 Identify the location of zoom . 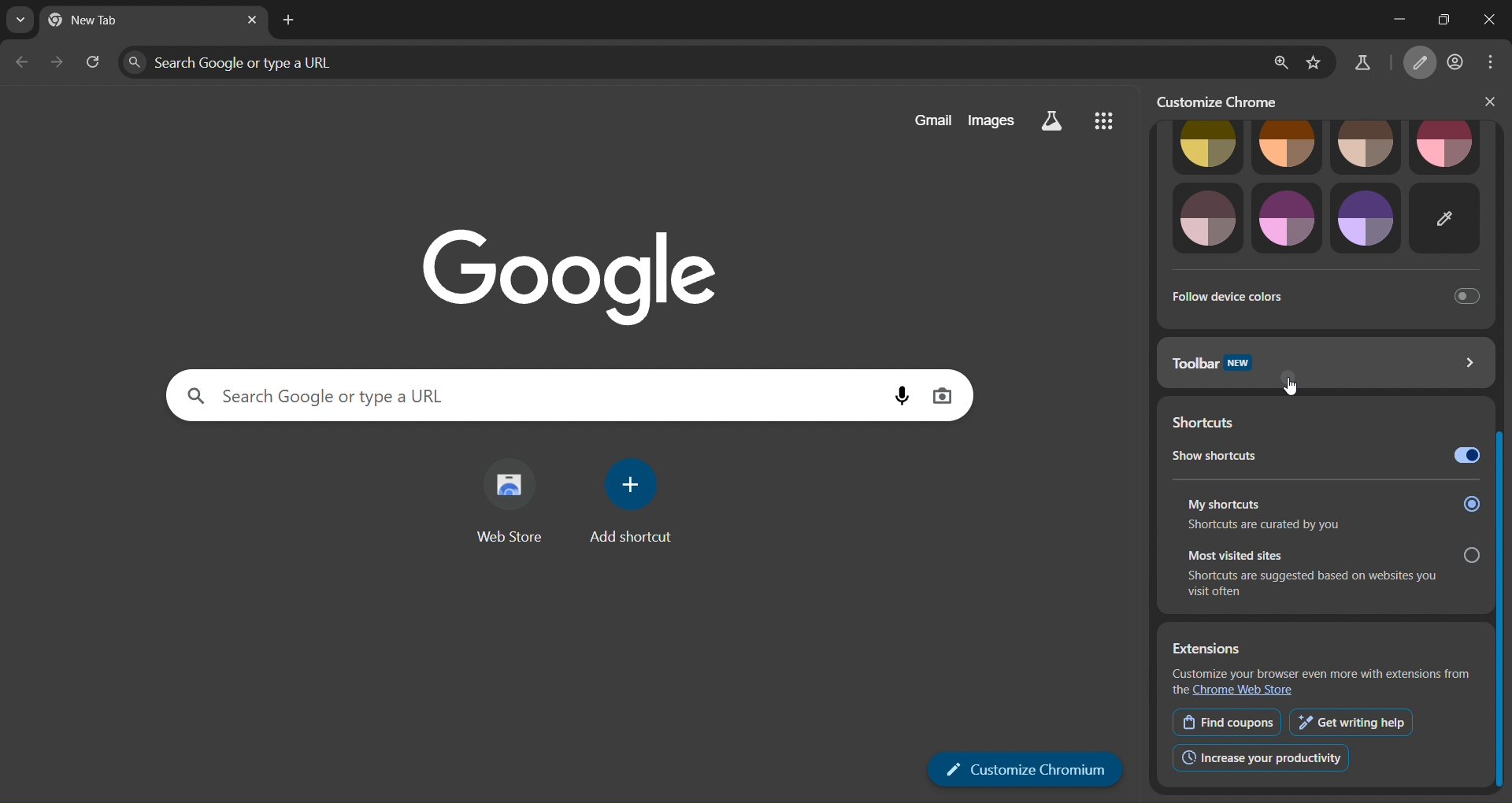
(1279, 61).